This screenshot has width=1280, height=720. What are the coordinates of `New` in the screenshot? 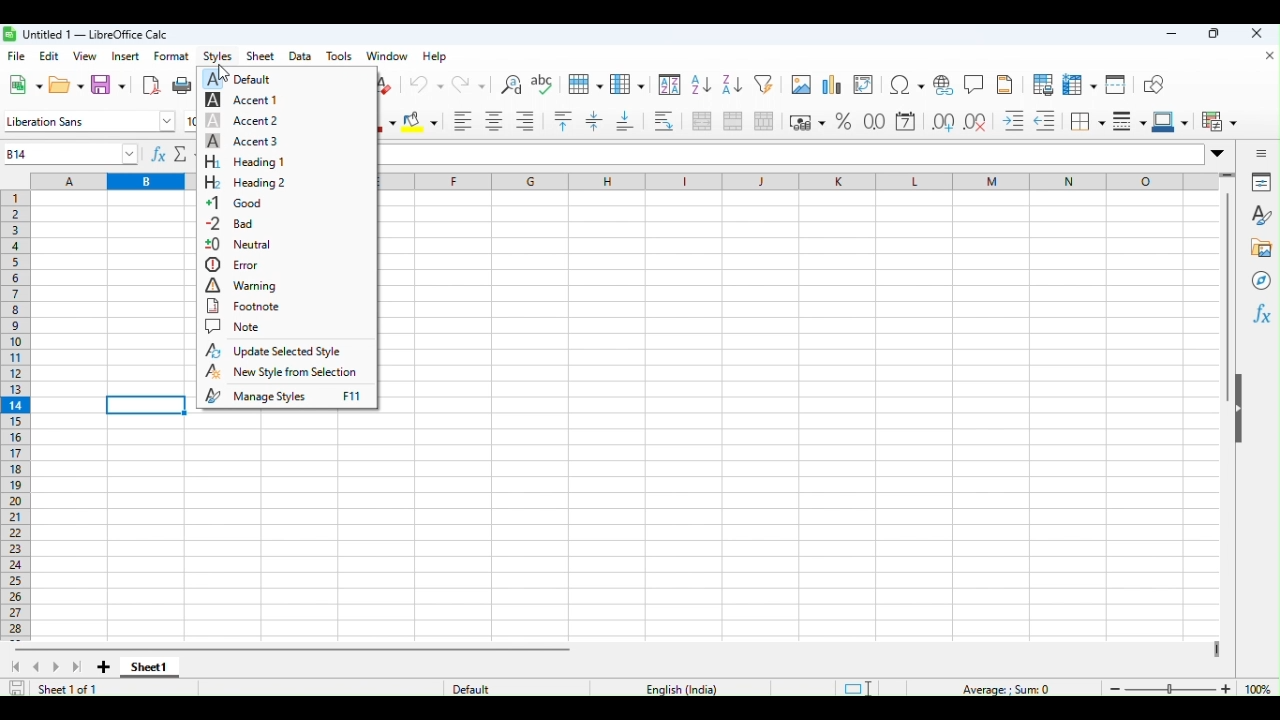 It's located at (23, 85).